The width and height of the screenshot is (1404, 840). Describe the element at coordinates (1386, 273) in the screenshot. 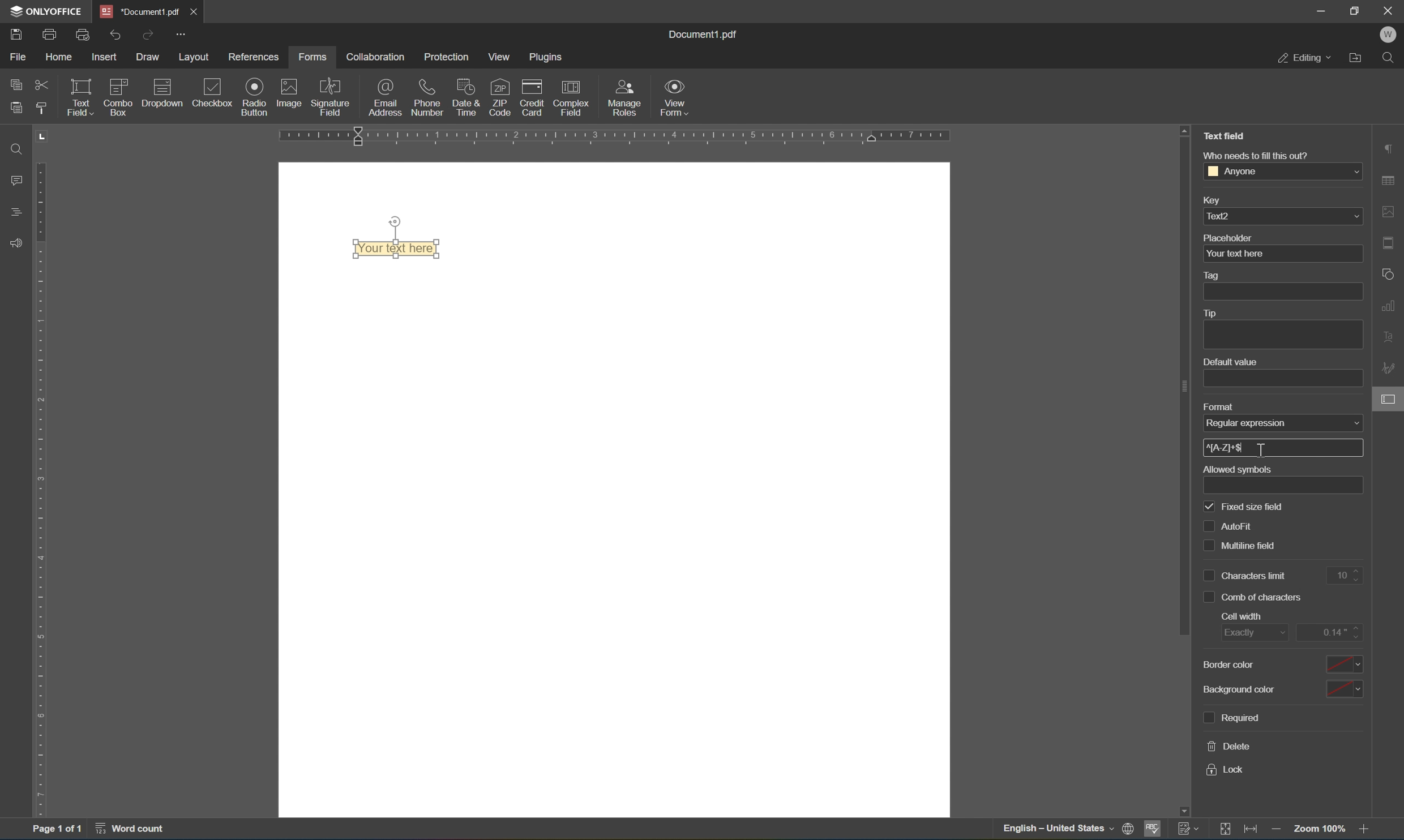

I see `shape settings` at that location.